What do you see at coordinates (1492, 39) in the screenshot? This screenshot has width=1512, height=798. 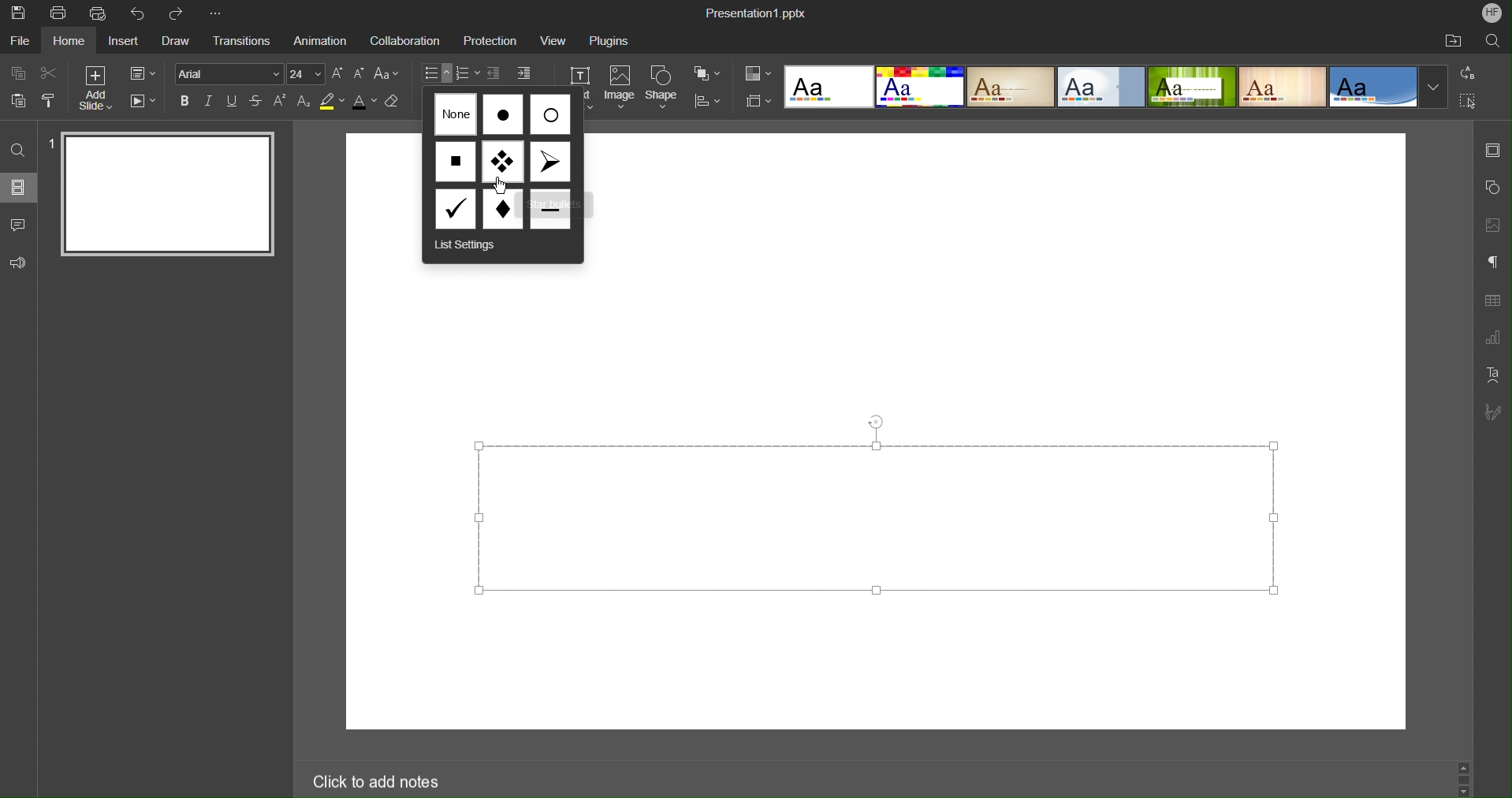 I see `Search` at bounding box center [1492, 39].